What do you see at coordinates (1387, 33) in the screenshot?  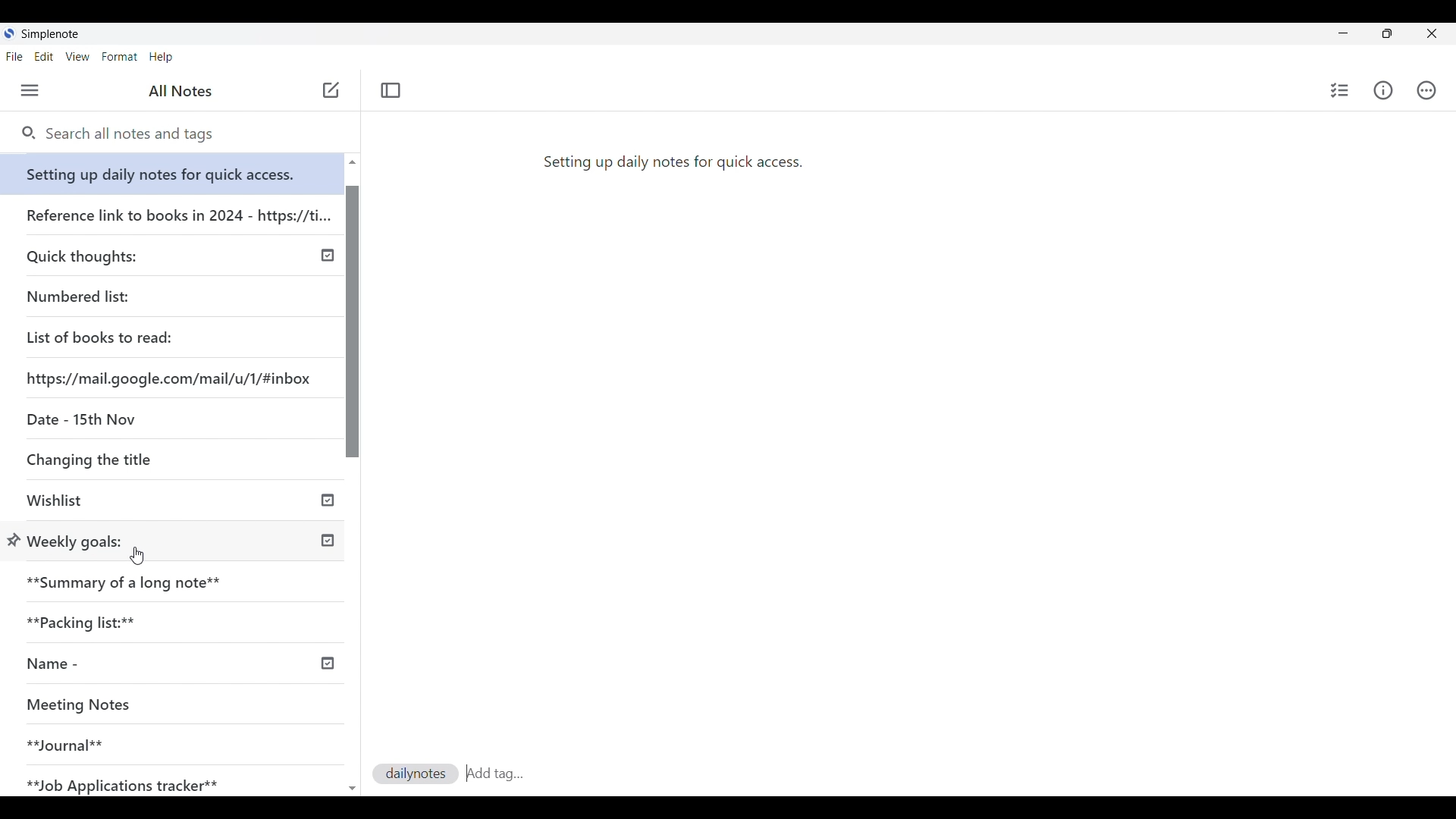 I see `Show in smaller tab` at bounding box center [1387, 33].